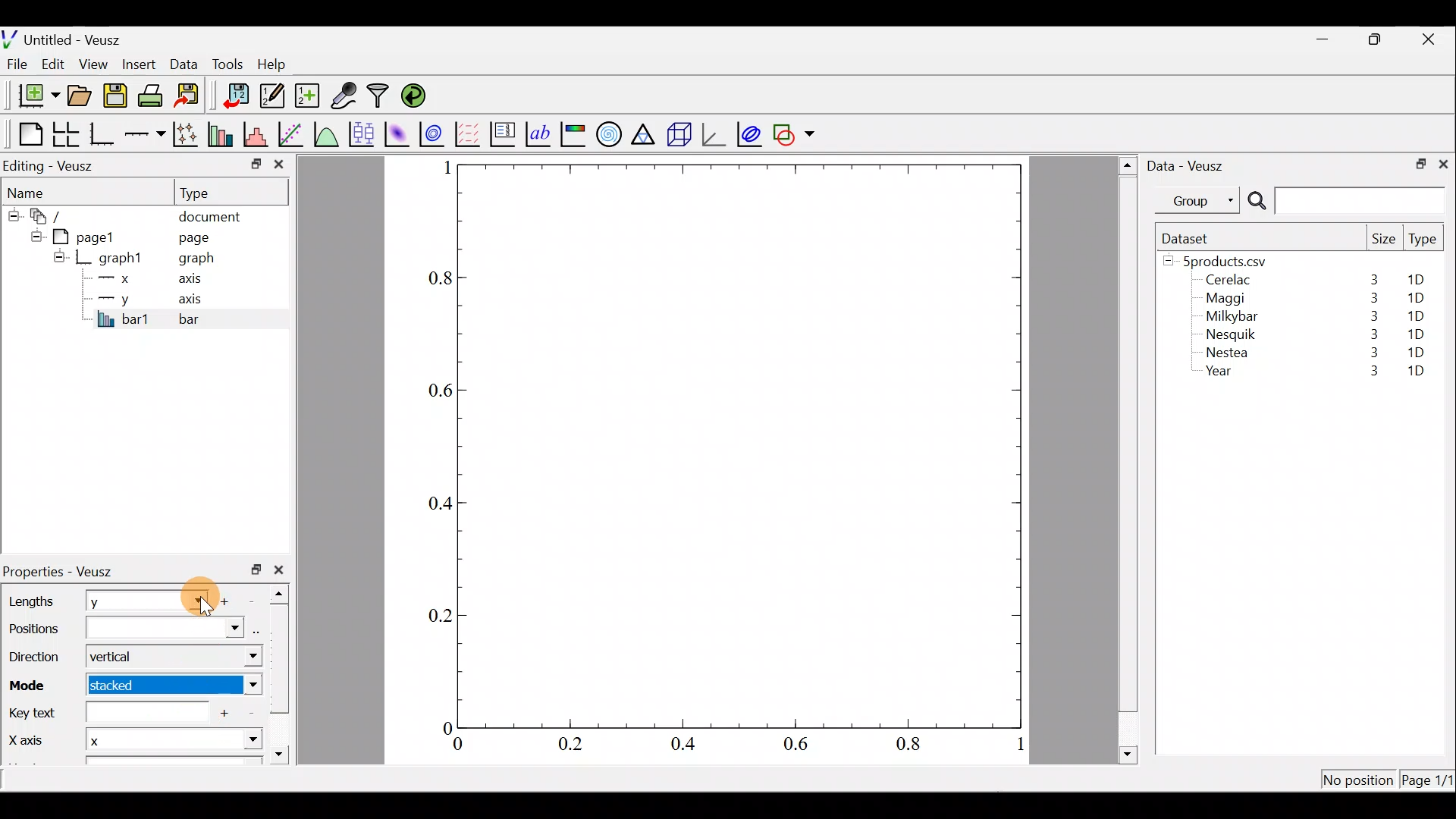 Image resolution: width=1456 pixels, height=819 pixels. What do you see at coordinates (1429, 783) in the screenshot?
I see `Page 1/11` at bounding box center [1429, 783].